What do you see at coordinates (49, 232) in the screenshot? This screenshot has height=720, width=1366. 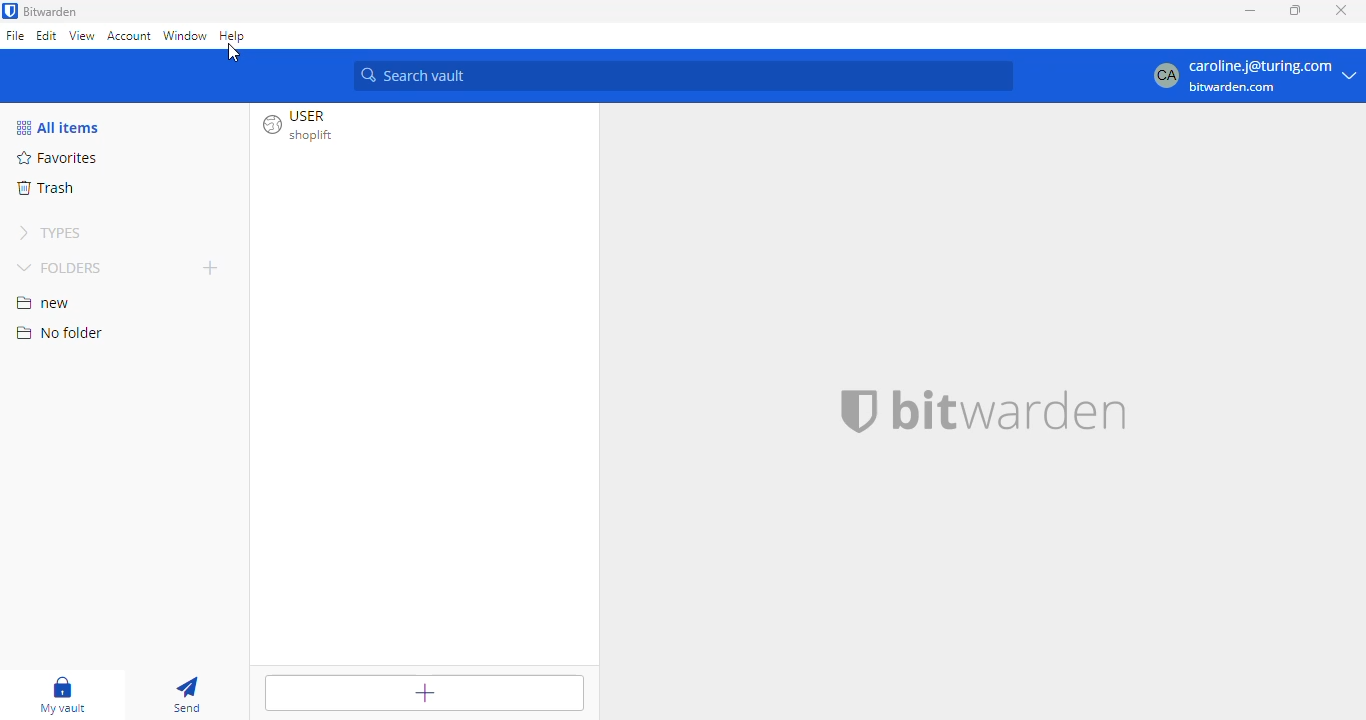 I see `types` at bounding box center [49, 232].